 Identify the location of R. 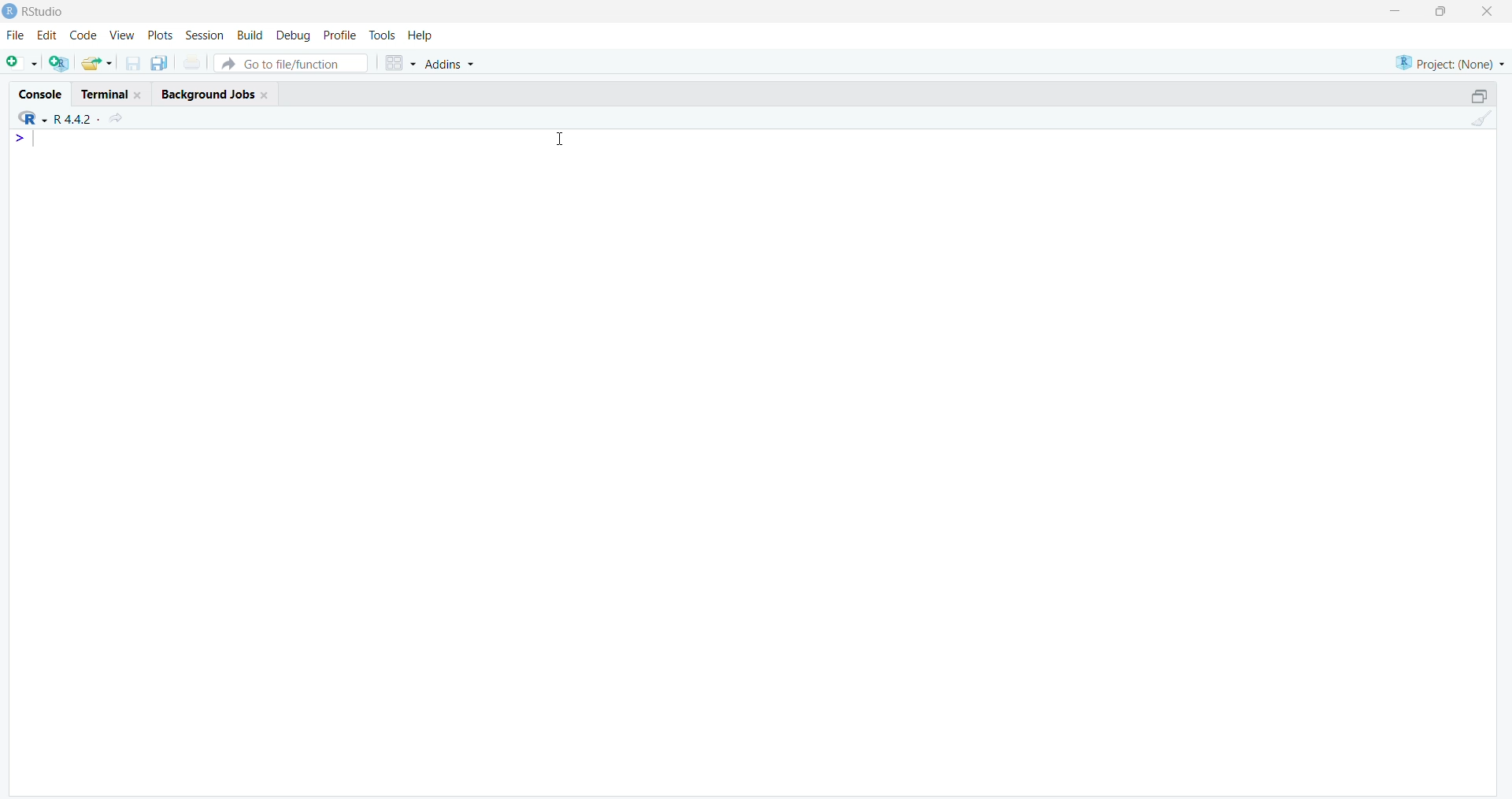
(27, 117).